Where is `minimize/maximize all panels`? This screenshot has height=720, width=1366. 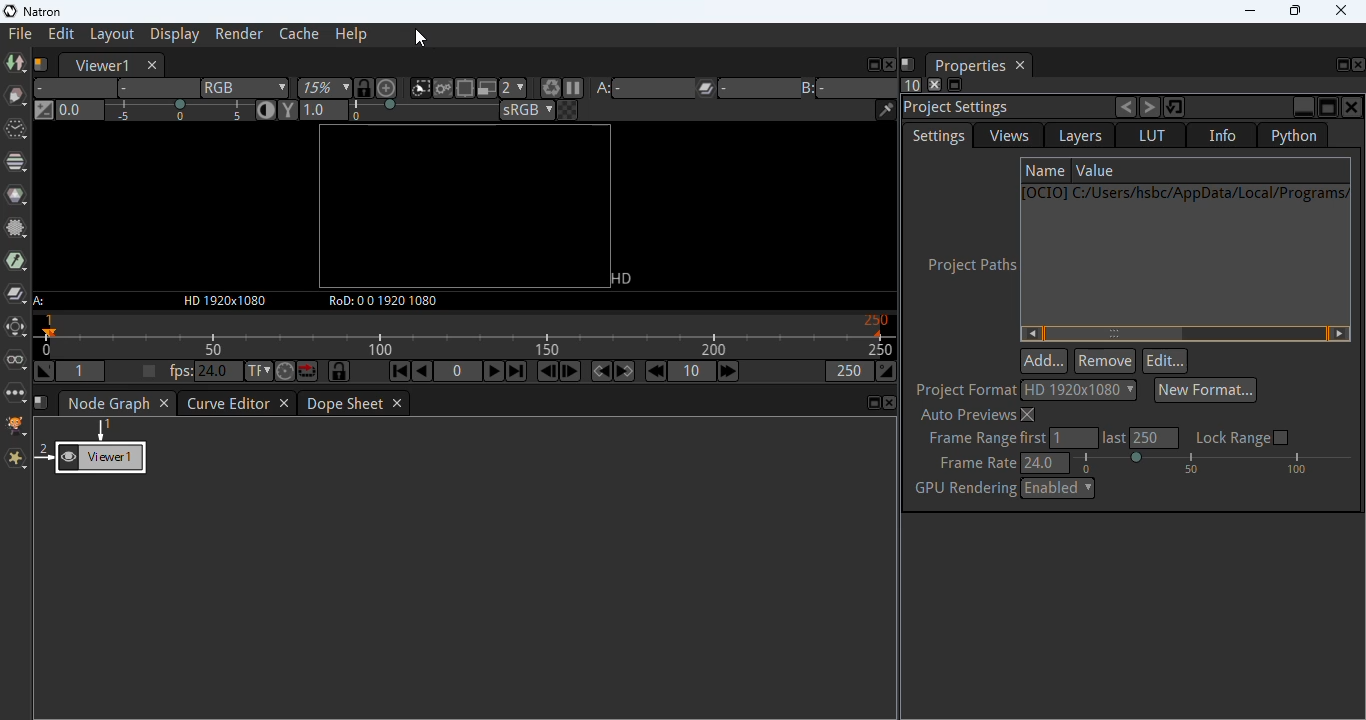
minimize/maximize all panels is located at coordinates (955, 85).